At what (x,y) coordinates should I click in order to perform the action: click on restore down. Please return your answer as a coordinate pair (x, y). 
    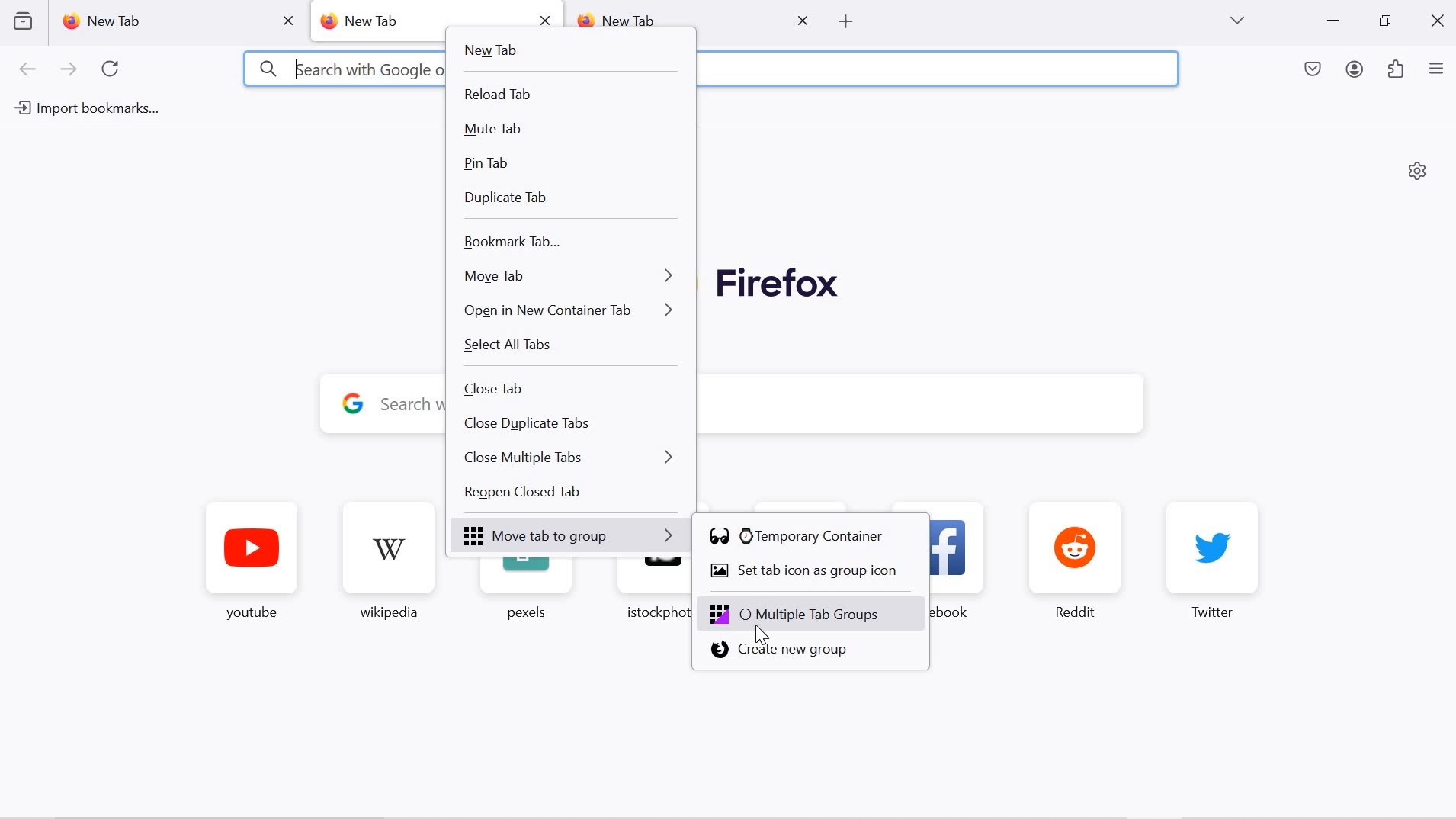
    Looking at the image, I should click on (1384, 21).